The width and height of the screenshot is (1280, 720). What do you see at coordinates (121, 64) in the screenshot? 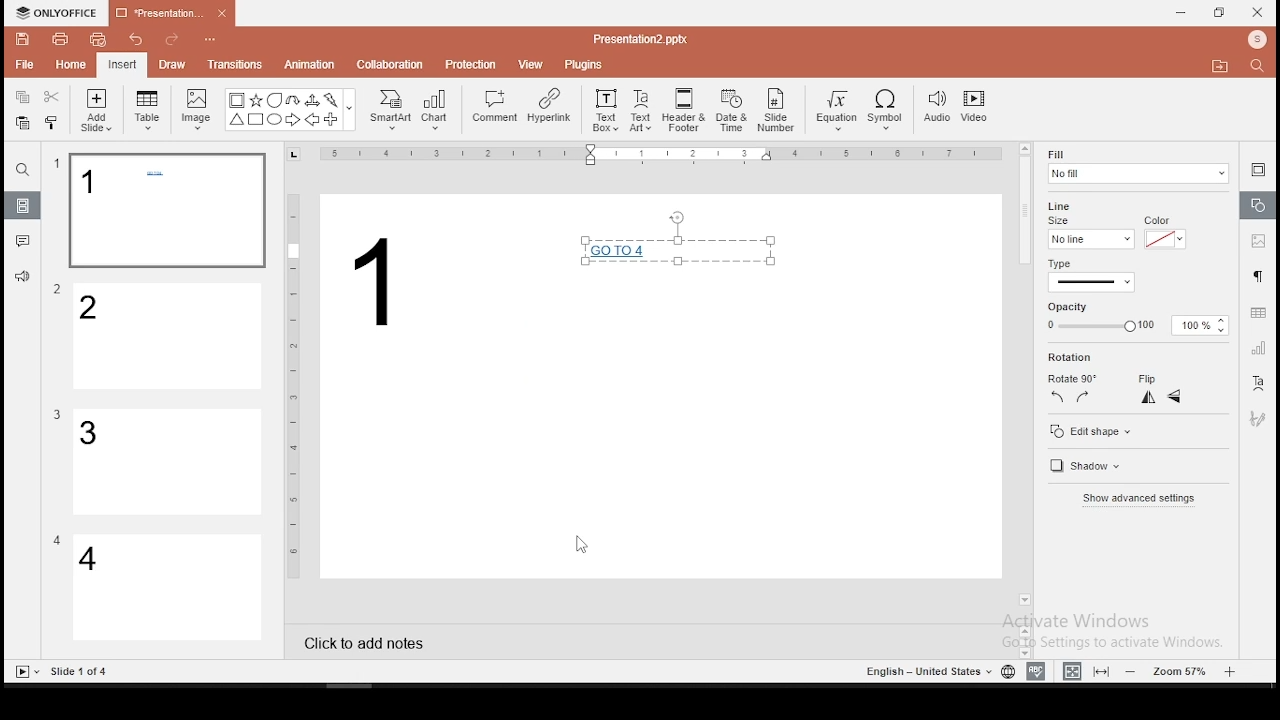
I see `insert` at bounding box center [121, 64].